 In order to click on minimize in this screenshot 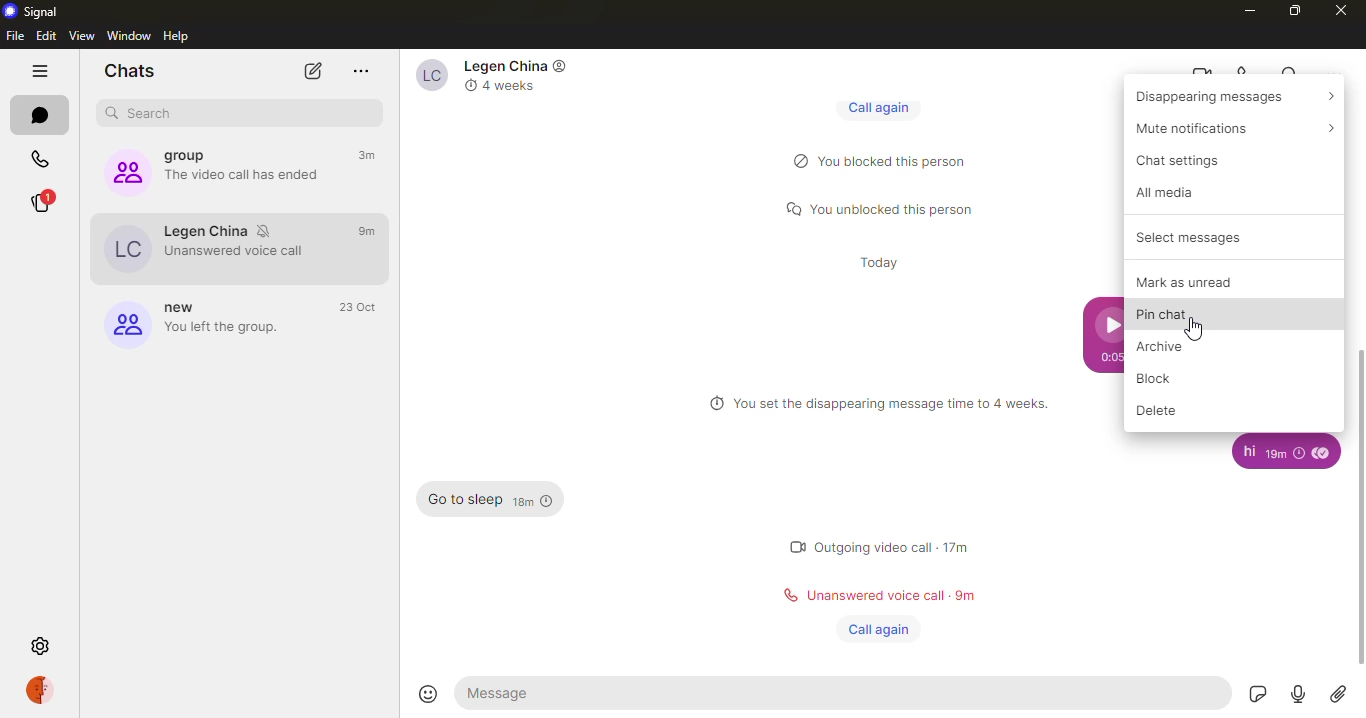, I will do `click(1245, 10)`.